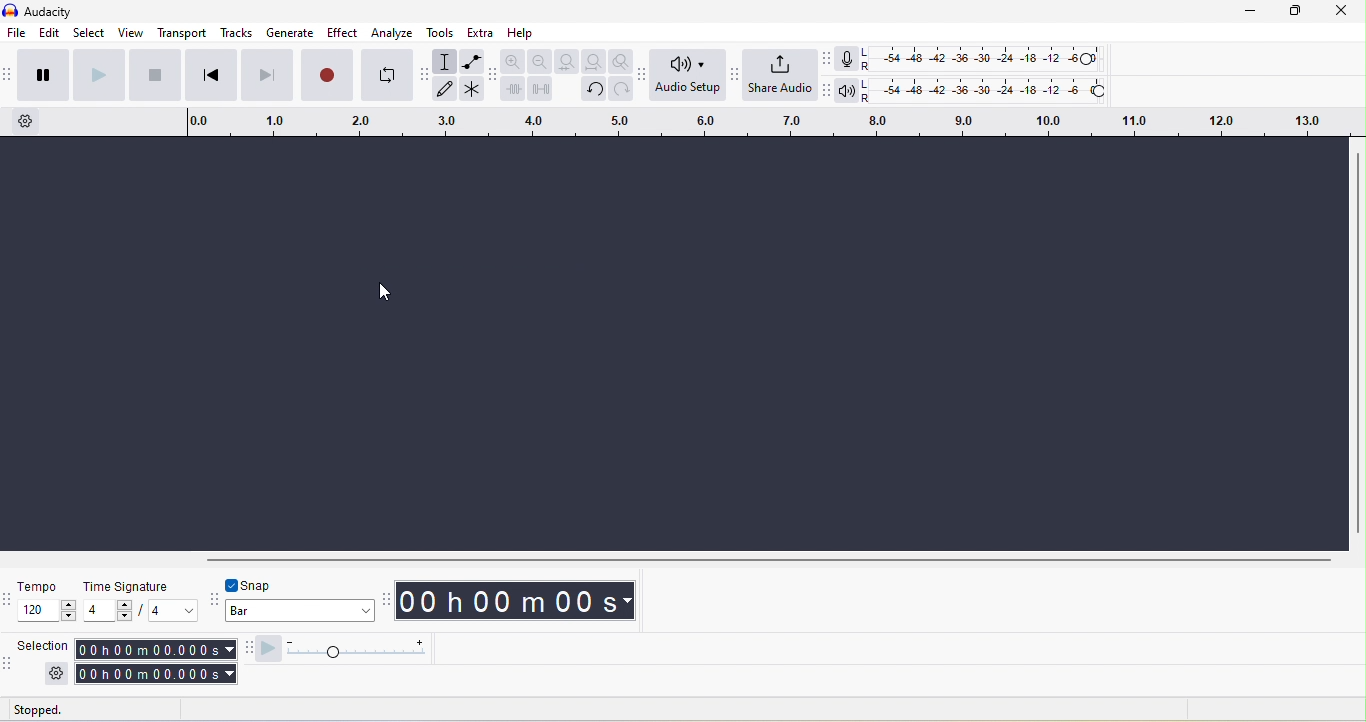 The height and width of the screenshot is (722, 1366). What do you see at coordinates (108, 610) in the screenshot?
I see `set time signature` at bounding box center [108, 610].